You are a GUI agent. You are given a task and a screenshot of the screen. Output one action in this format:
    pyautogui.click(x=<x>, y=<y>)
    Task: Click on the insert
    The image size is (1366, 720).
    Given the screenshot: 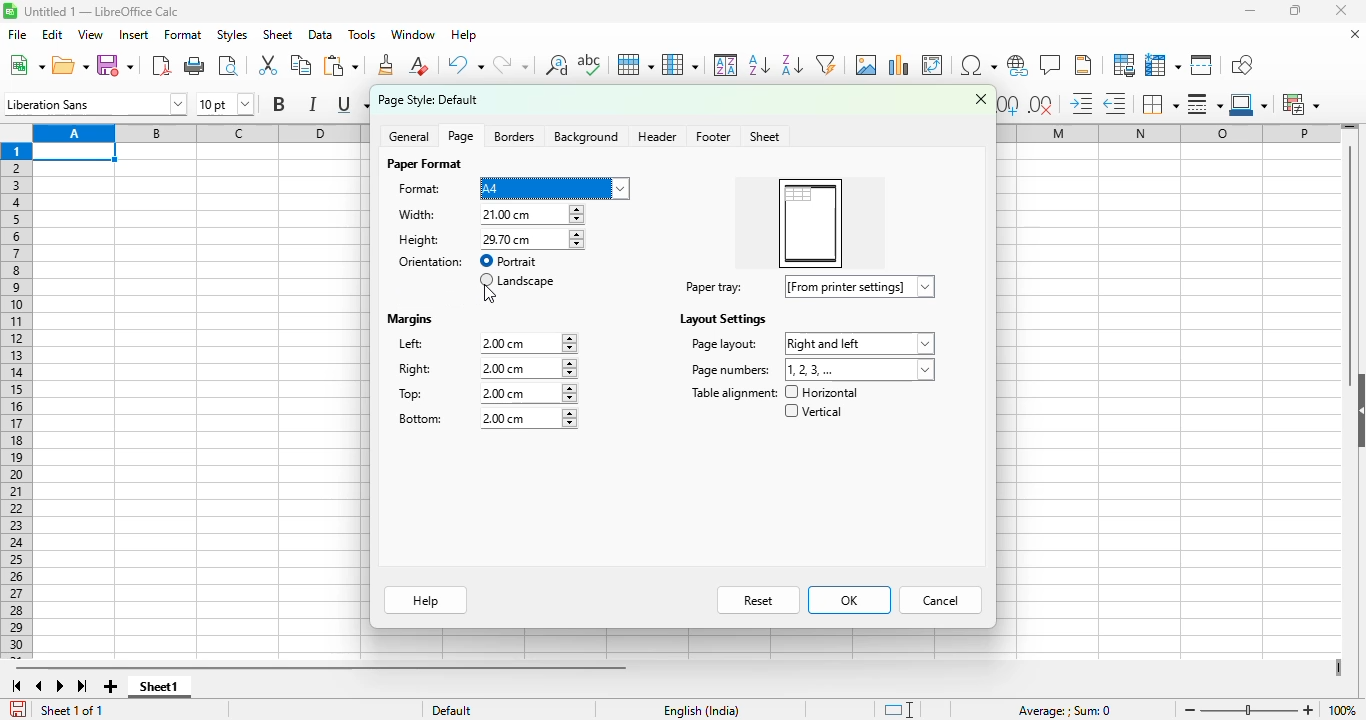 What is the action you would take?
    pyautogui.click(x=134, y=35)
    